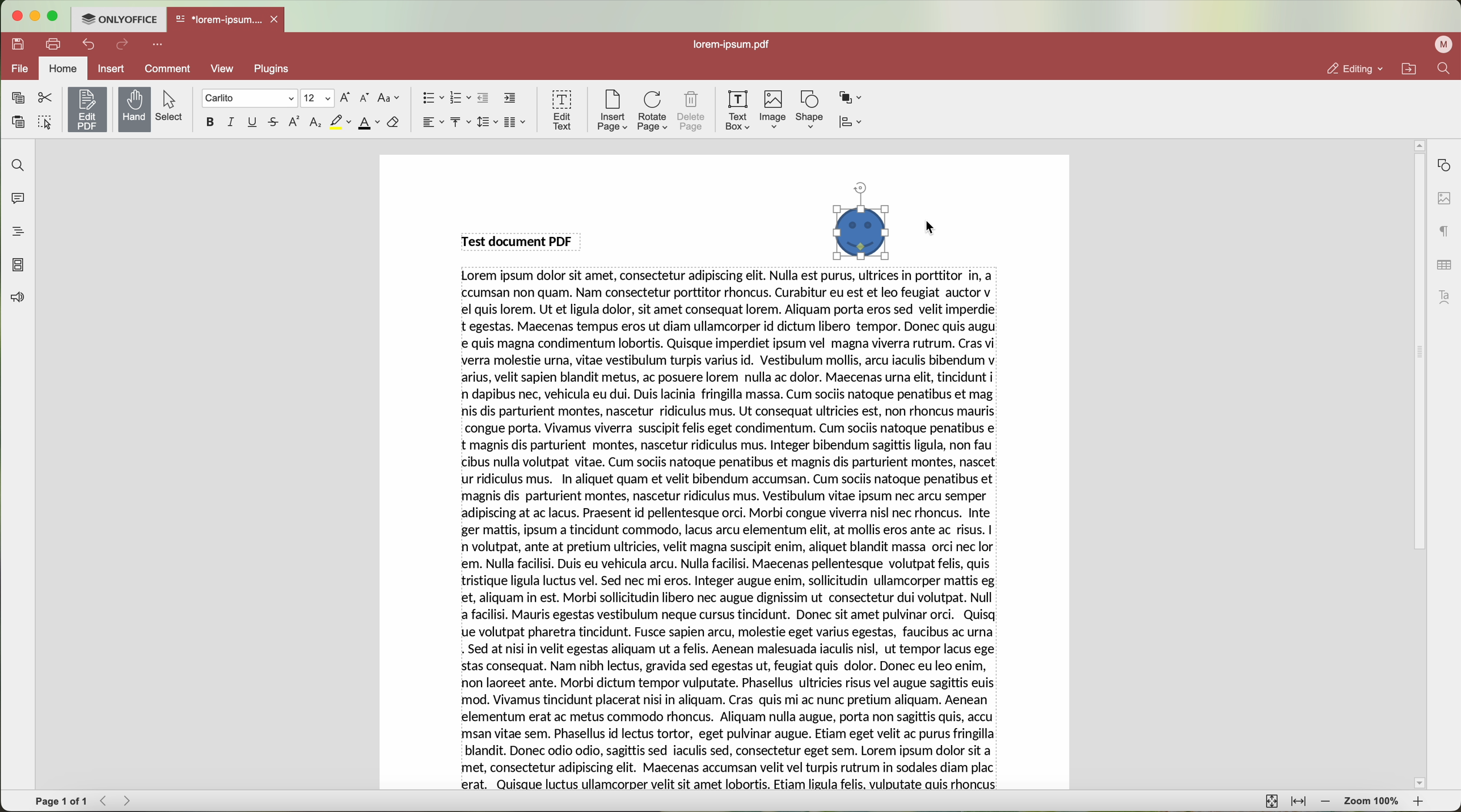 The width and height of the screenshot is (1461, 812). I want to click on Text Art settings, so click(1446, 295).